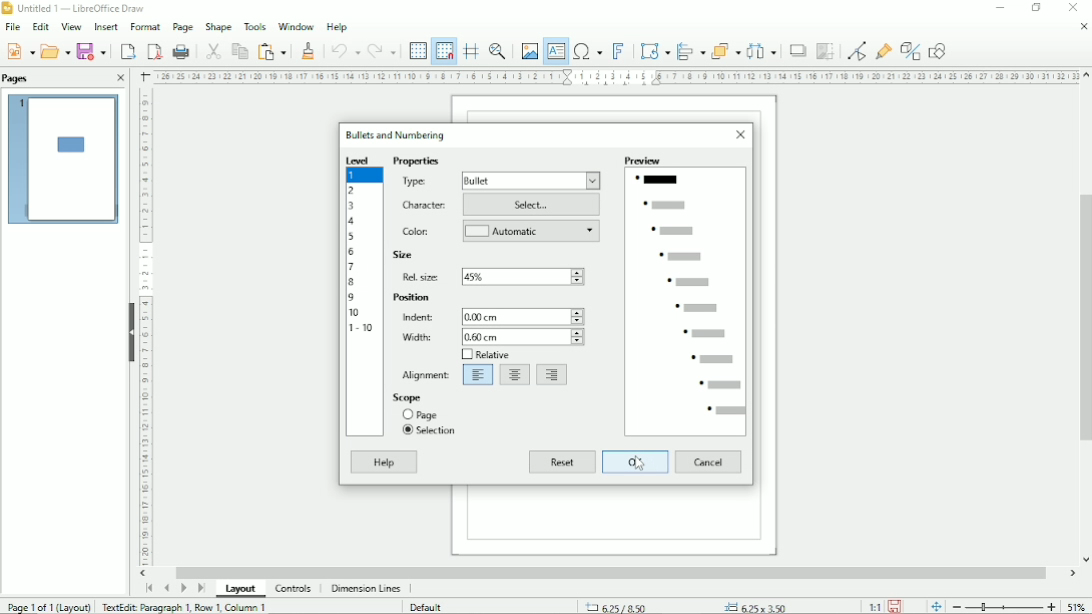 This screenshot has width=1092, height=614. Describe the element at coordinates (352, 267) in the screenshot. I see `7` at that location.